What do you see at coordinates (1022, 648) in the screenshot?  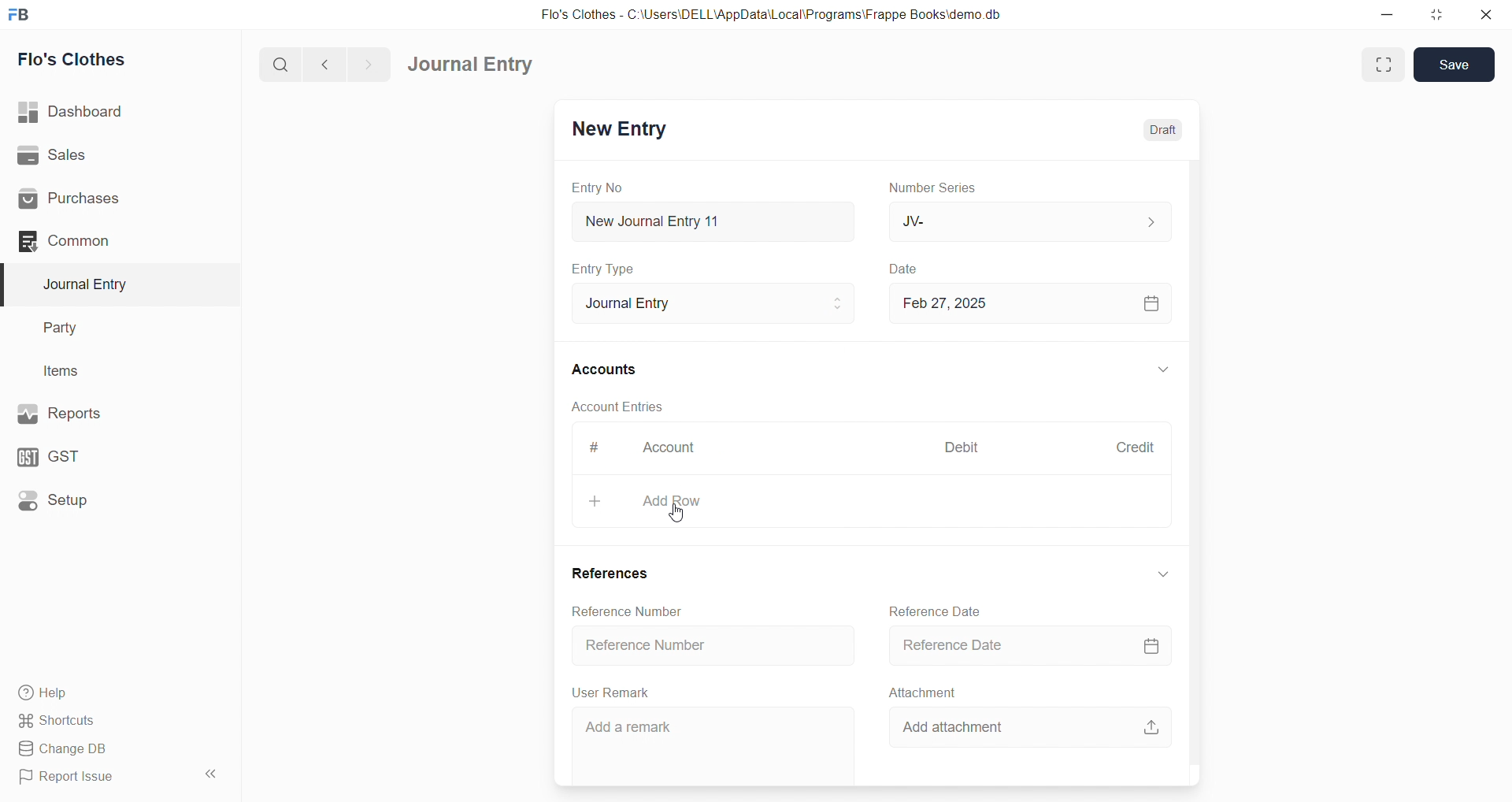 I see `Reference Date` at bounding box center [1022, 648].